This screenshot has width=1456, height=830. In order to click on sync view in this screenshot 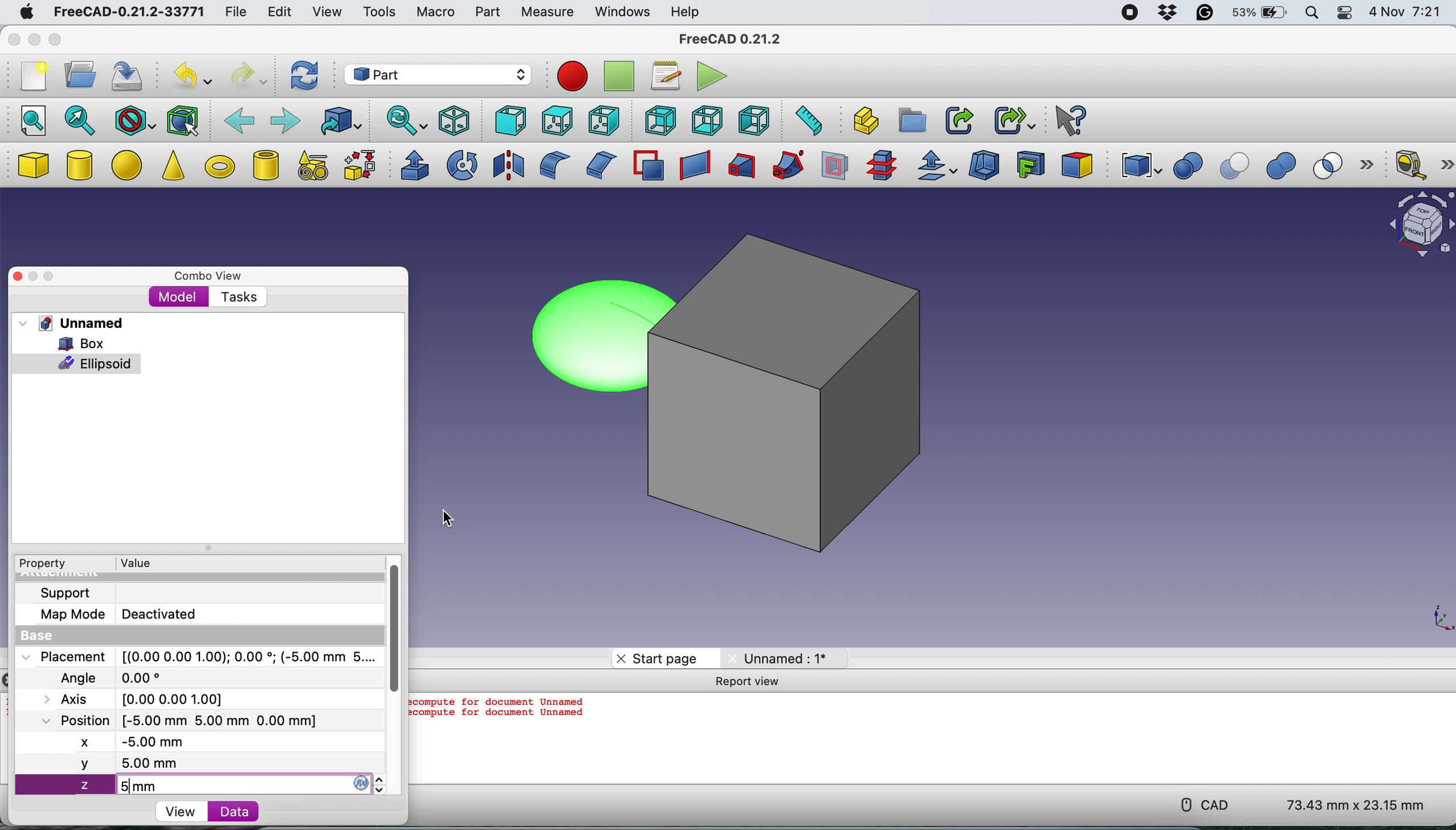, I will do `click(404, 122)`.